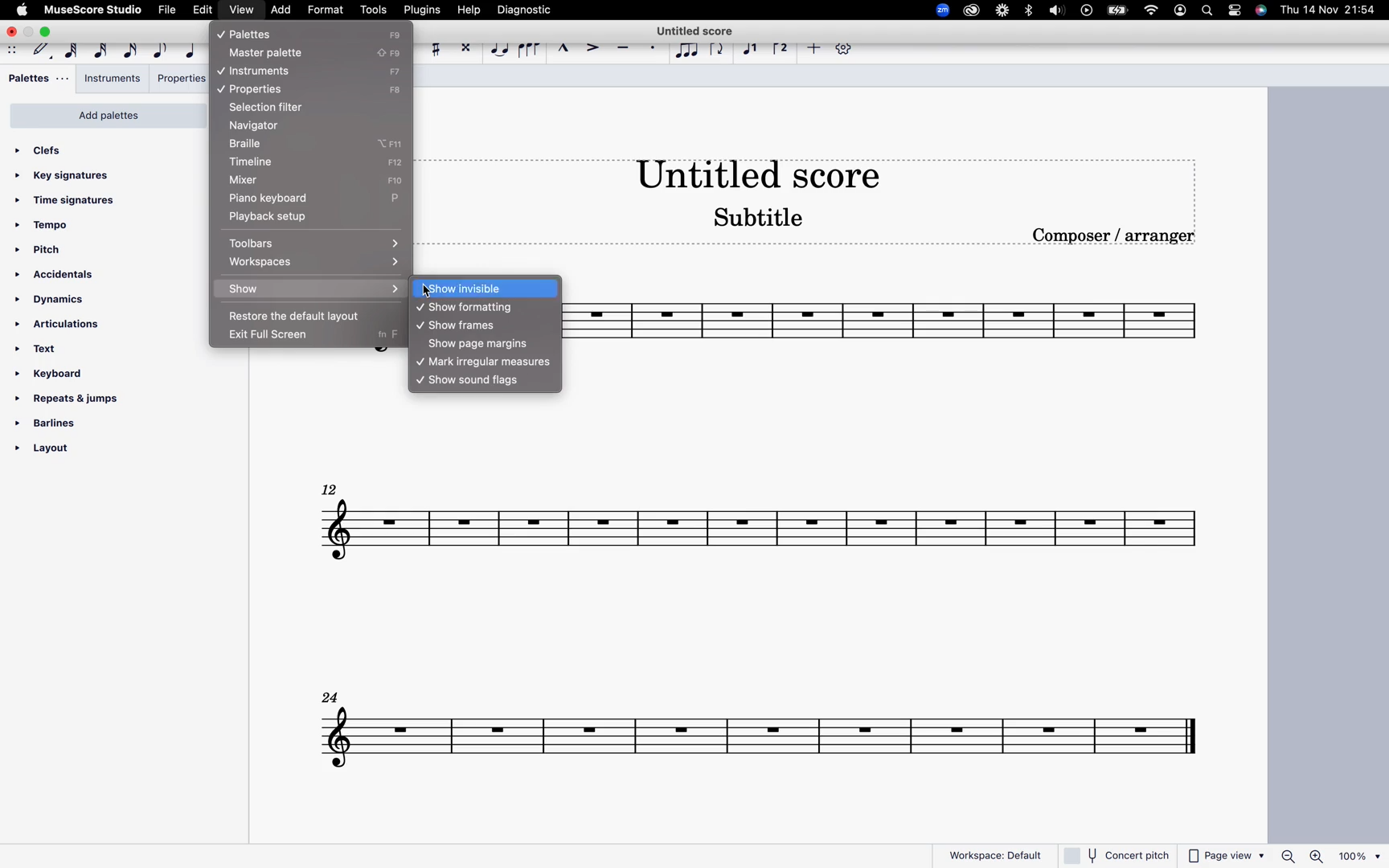  Describe the element at coordinates (99, 51) in the screenshot. I see `32nd note` at that location.